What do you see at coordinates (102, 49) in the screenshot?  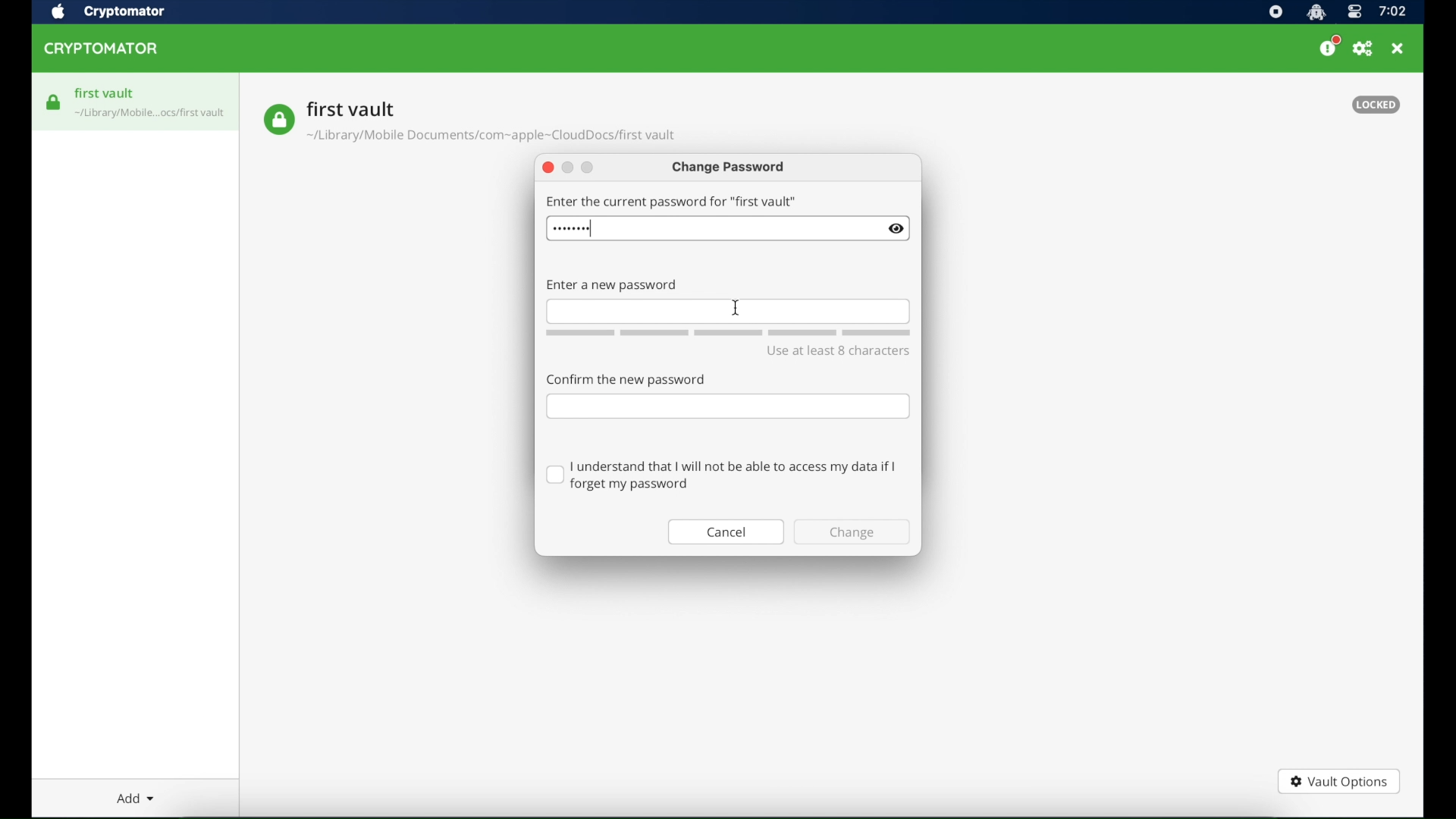 I see `cryptomator` at bounding box center [102, 49].